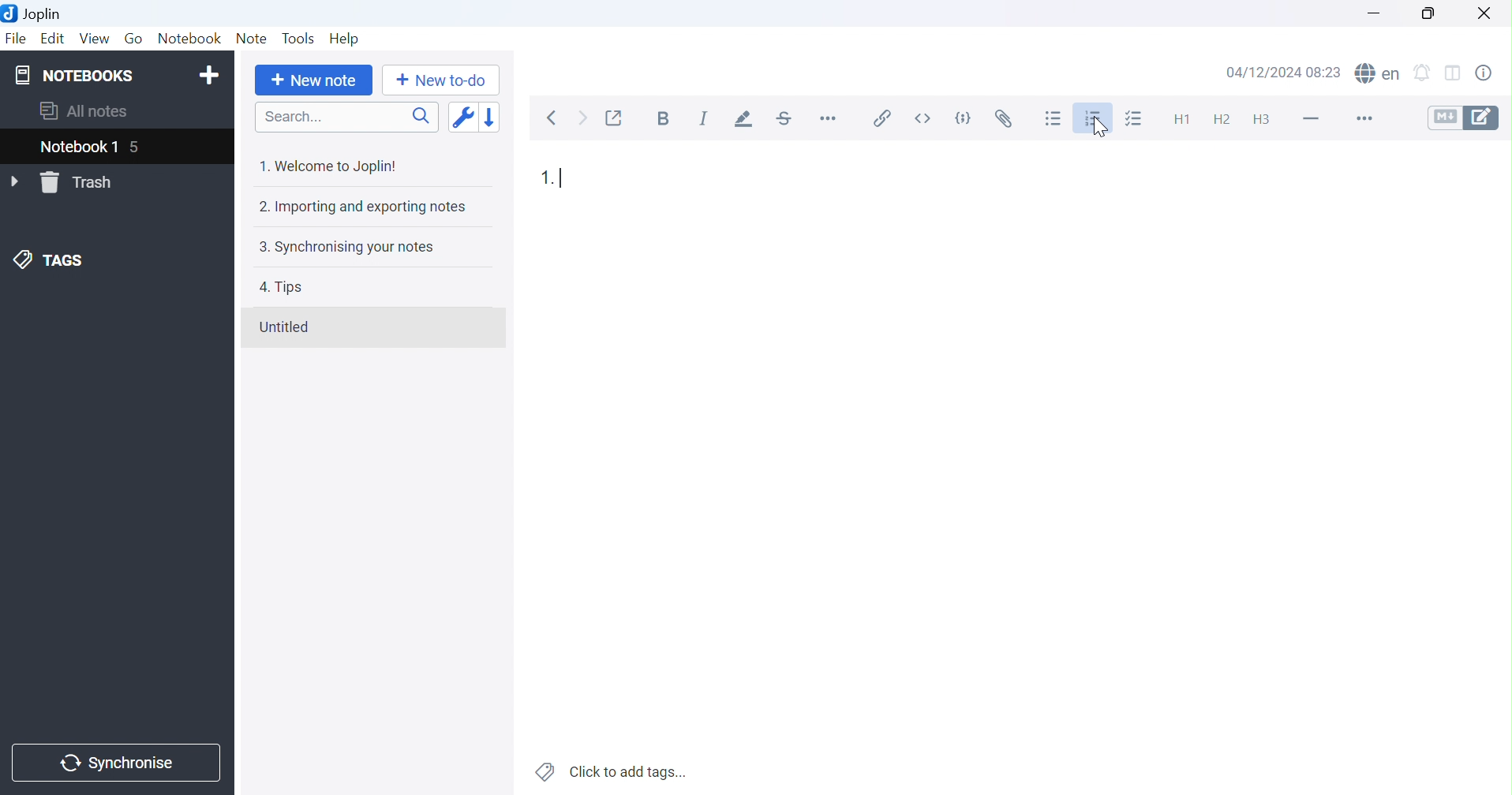 This screenshot has height=795, width=1512. Describe the element at coordinates (35, 13) in the screenshot. I see `Joplin` at that location.